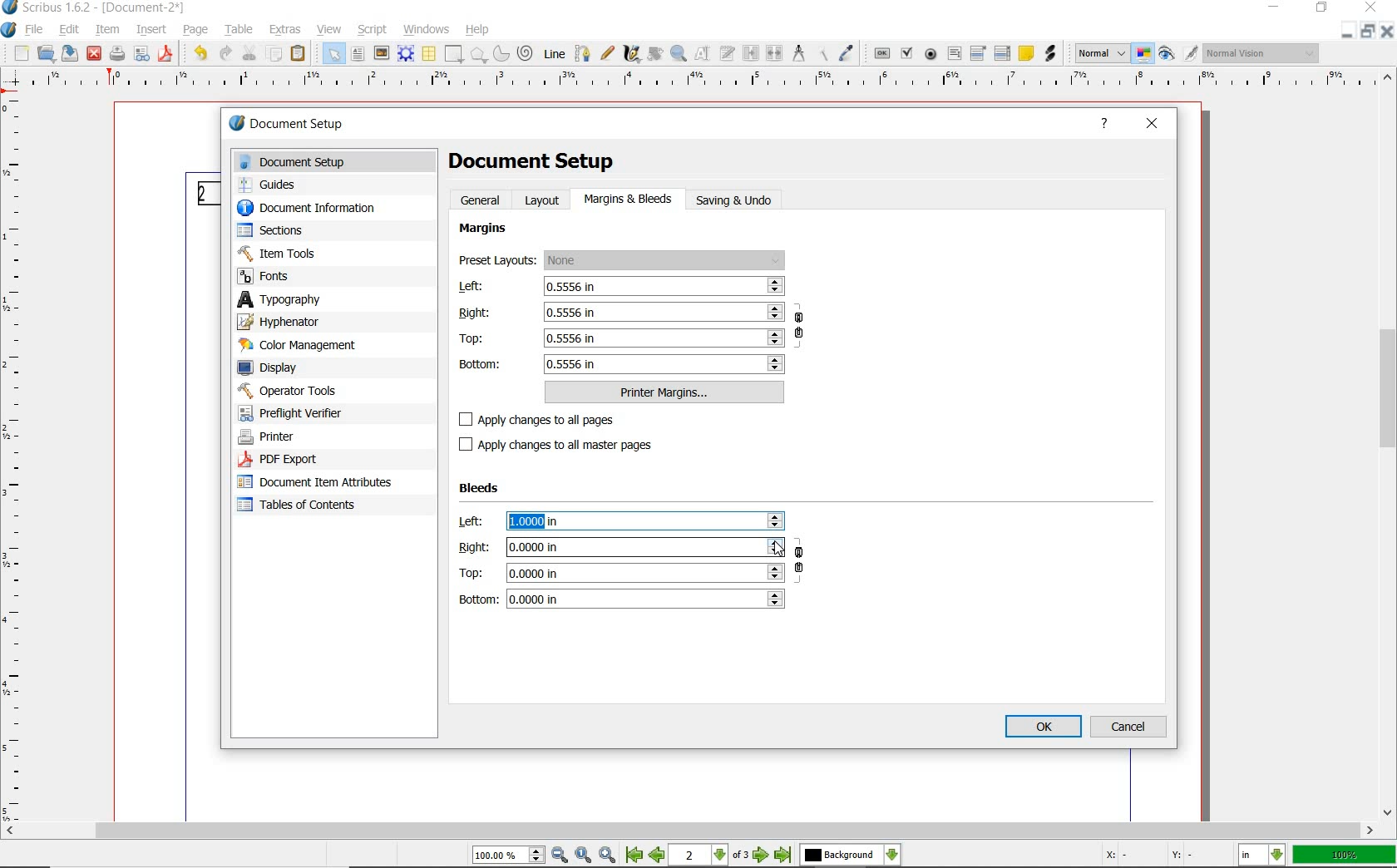  I want to click on preflight verifier, so click(294, 415).